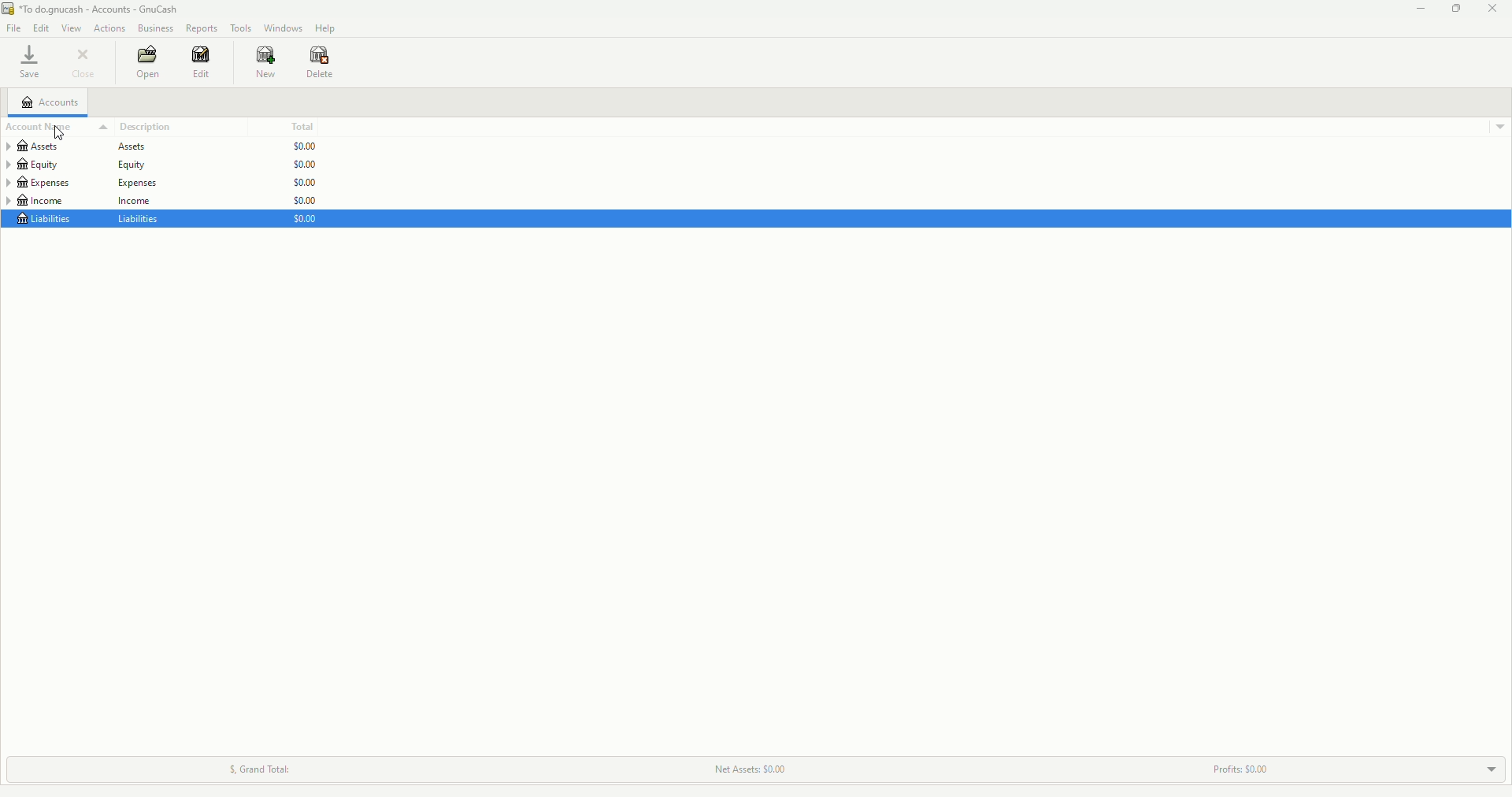 The width and height of the screenshot is (1512, 797). Describe the element at coordinates (75, 164) in the screenshot. I see `Equity` at that location.